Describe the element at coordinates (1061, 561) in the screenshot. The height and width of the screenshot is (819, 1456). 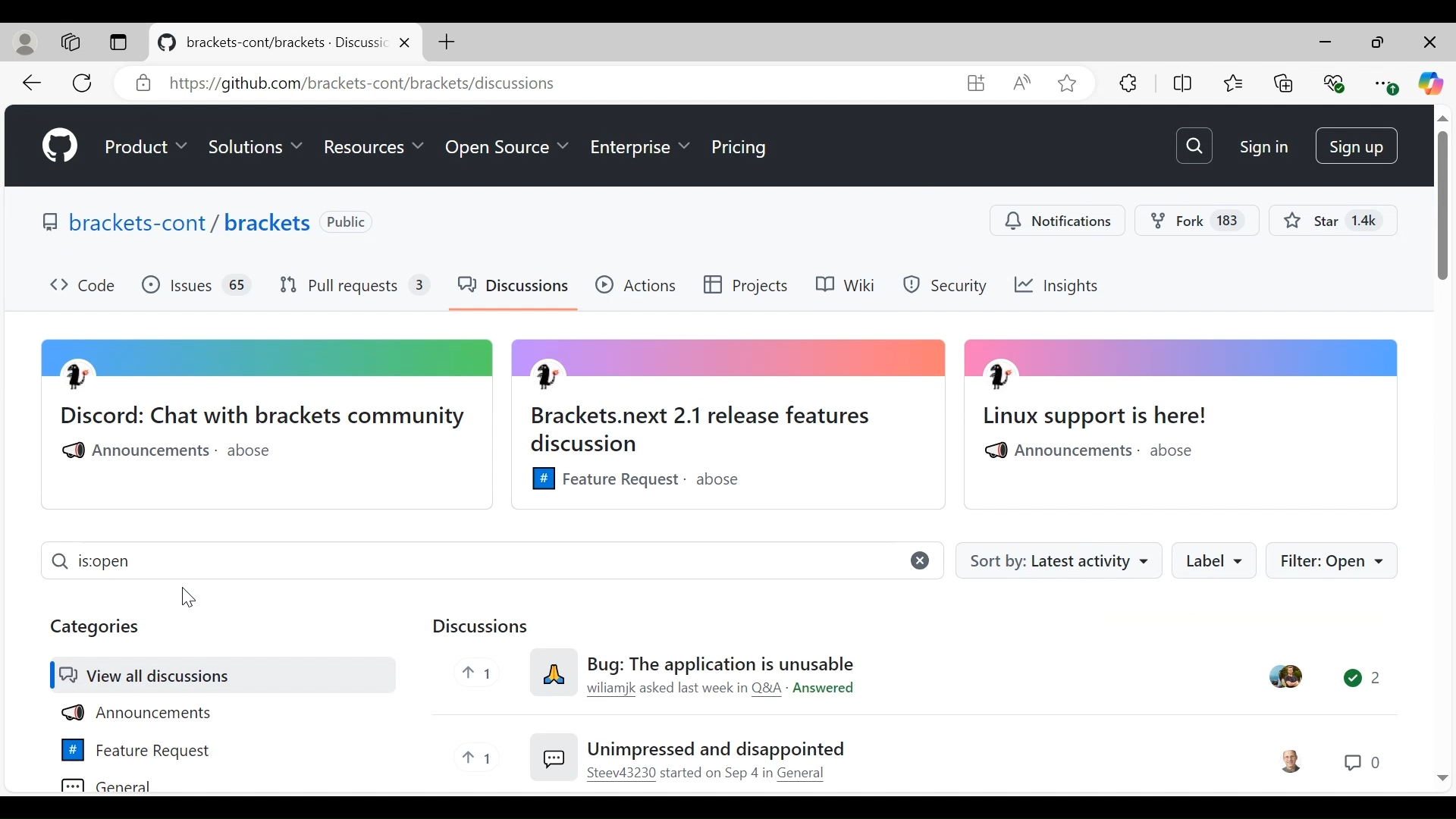
I see `Sort by: latest activity` at that location.